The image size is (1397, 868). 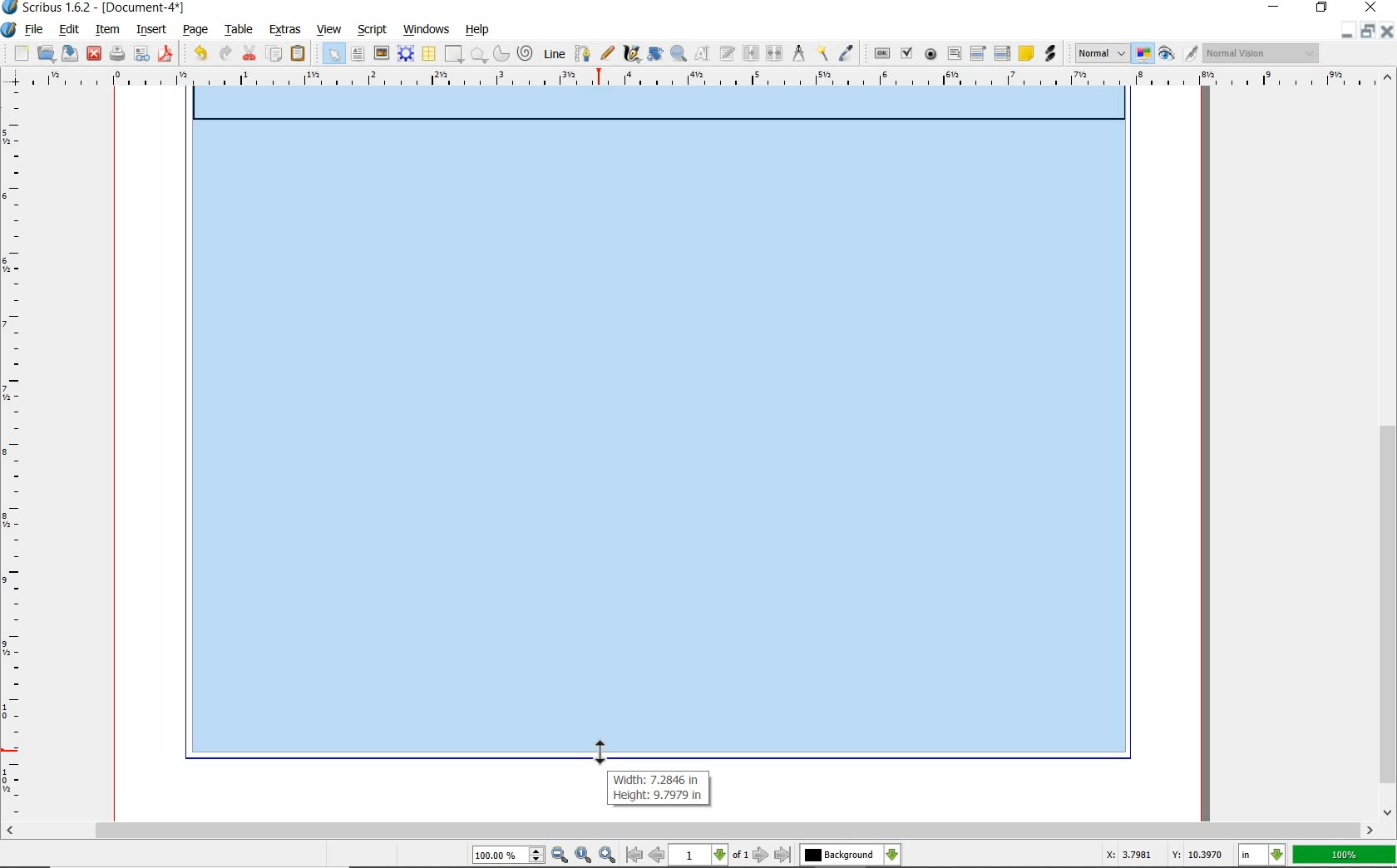 What do you see at coordinates (382, 55) in the screenshot?
I see `image frame` at bounding box center [382, 55].